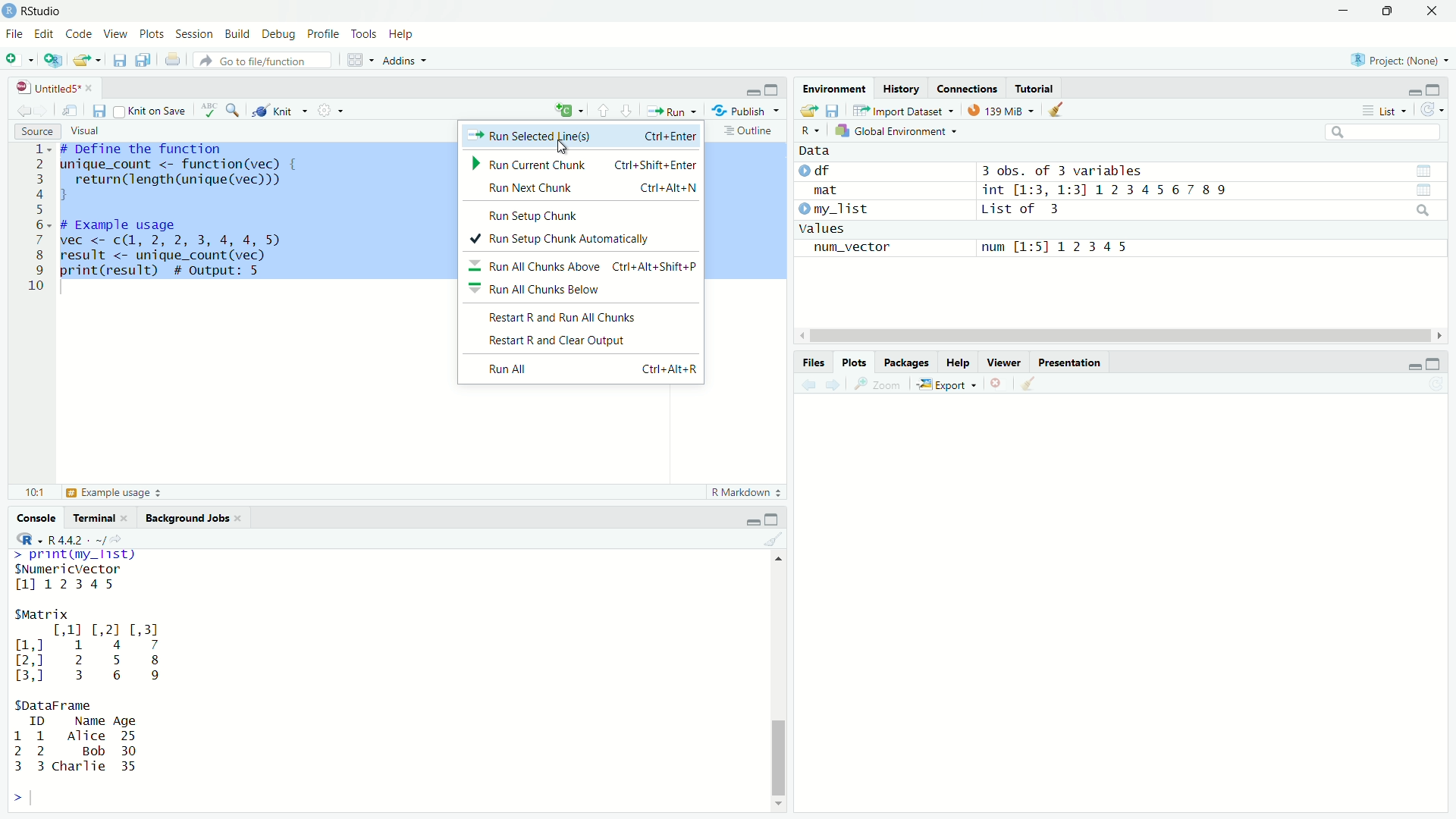 Image resolution: width=1456 pixels, height=819 pixels. What do you see at coordinates (80, 539) in the screenshot?
I see `R 4.4.2 . ~/` at bounding box center [80, 539].